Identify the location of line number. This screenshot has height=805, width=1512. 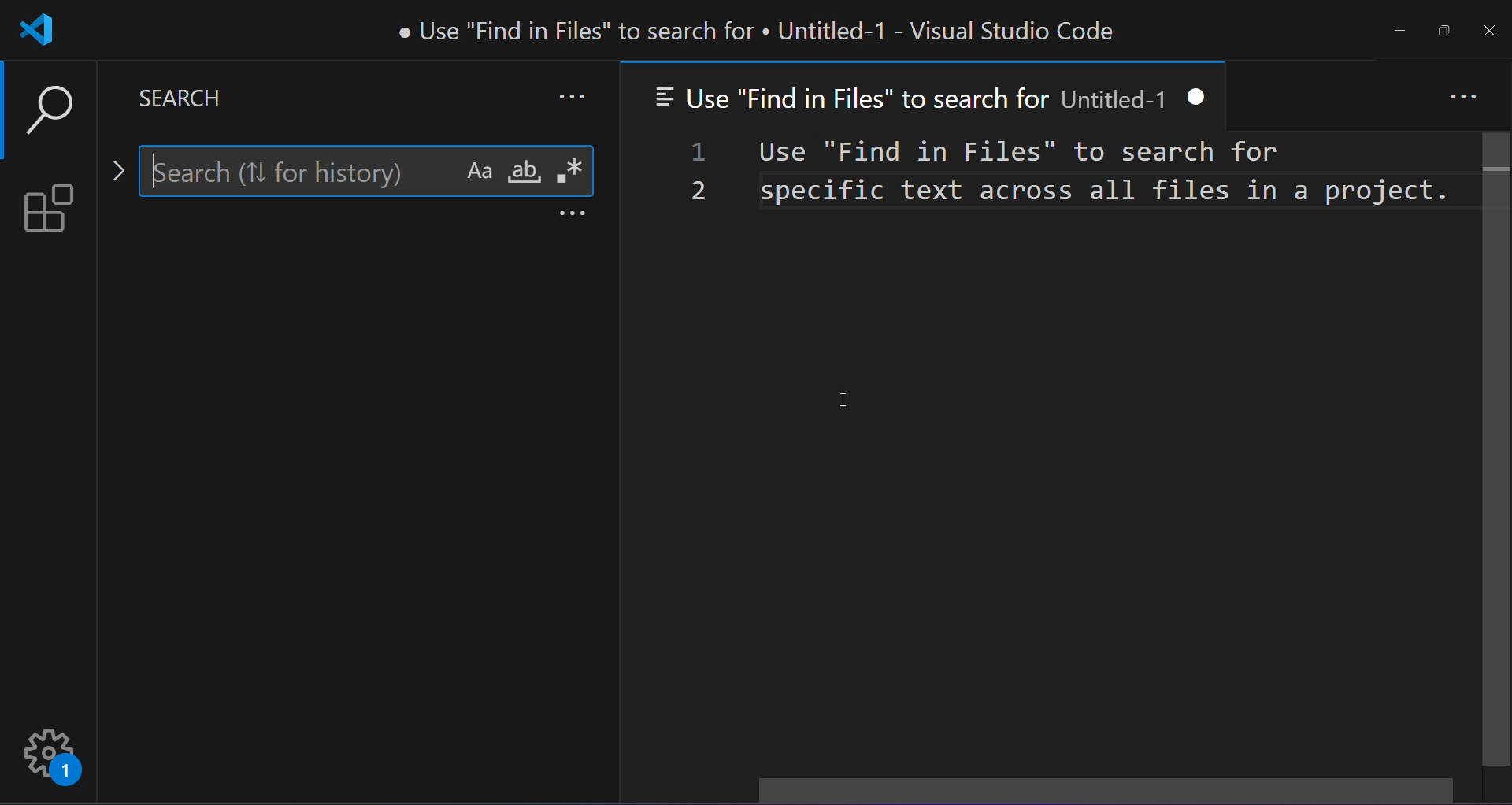
(698, 172).